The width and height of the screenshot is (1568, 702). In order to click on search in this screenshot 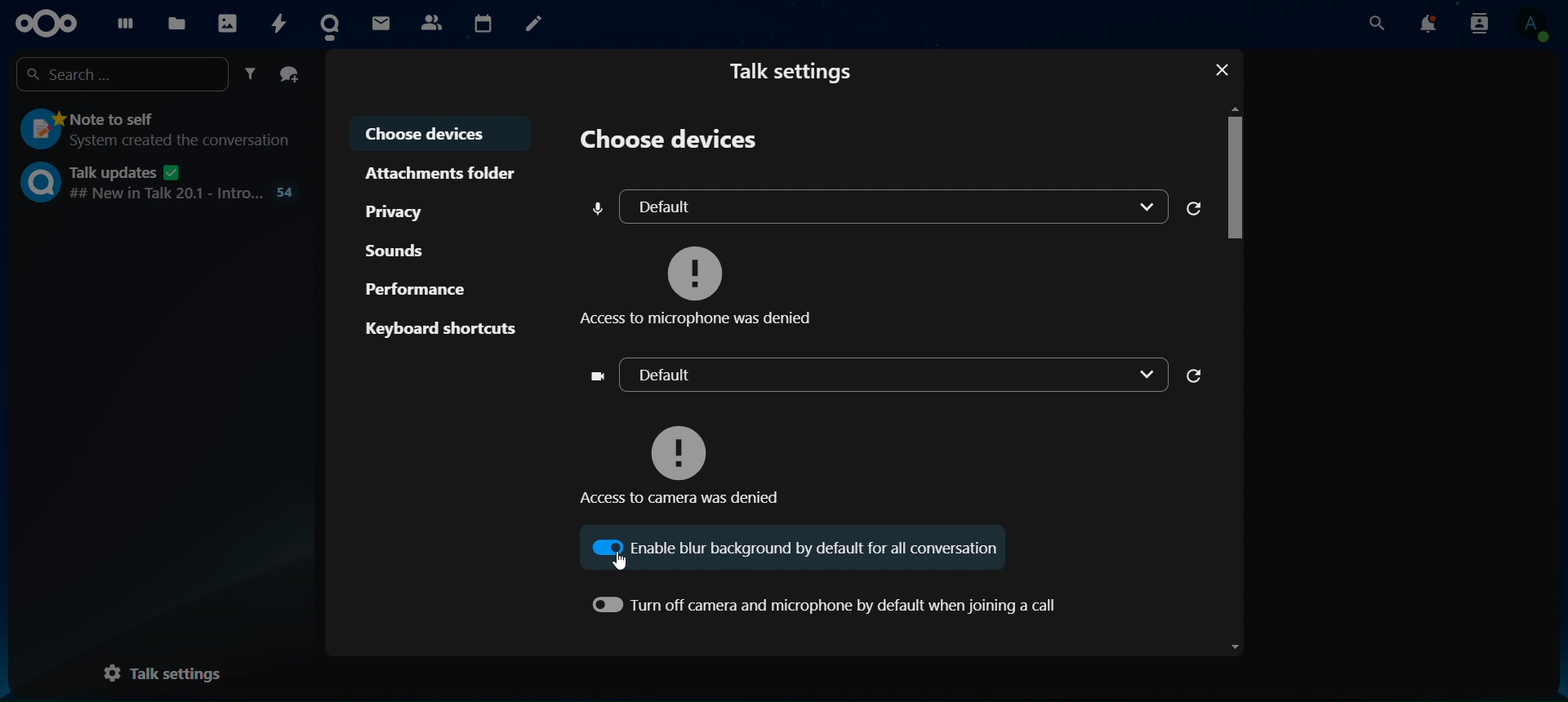, I will do `click(118, 75)`.